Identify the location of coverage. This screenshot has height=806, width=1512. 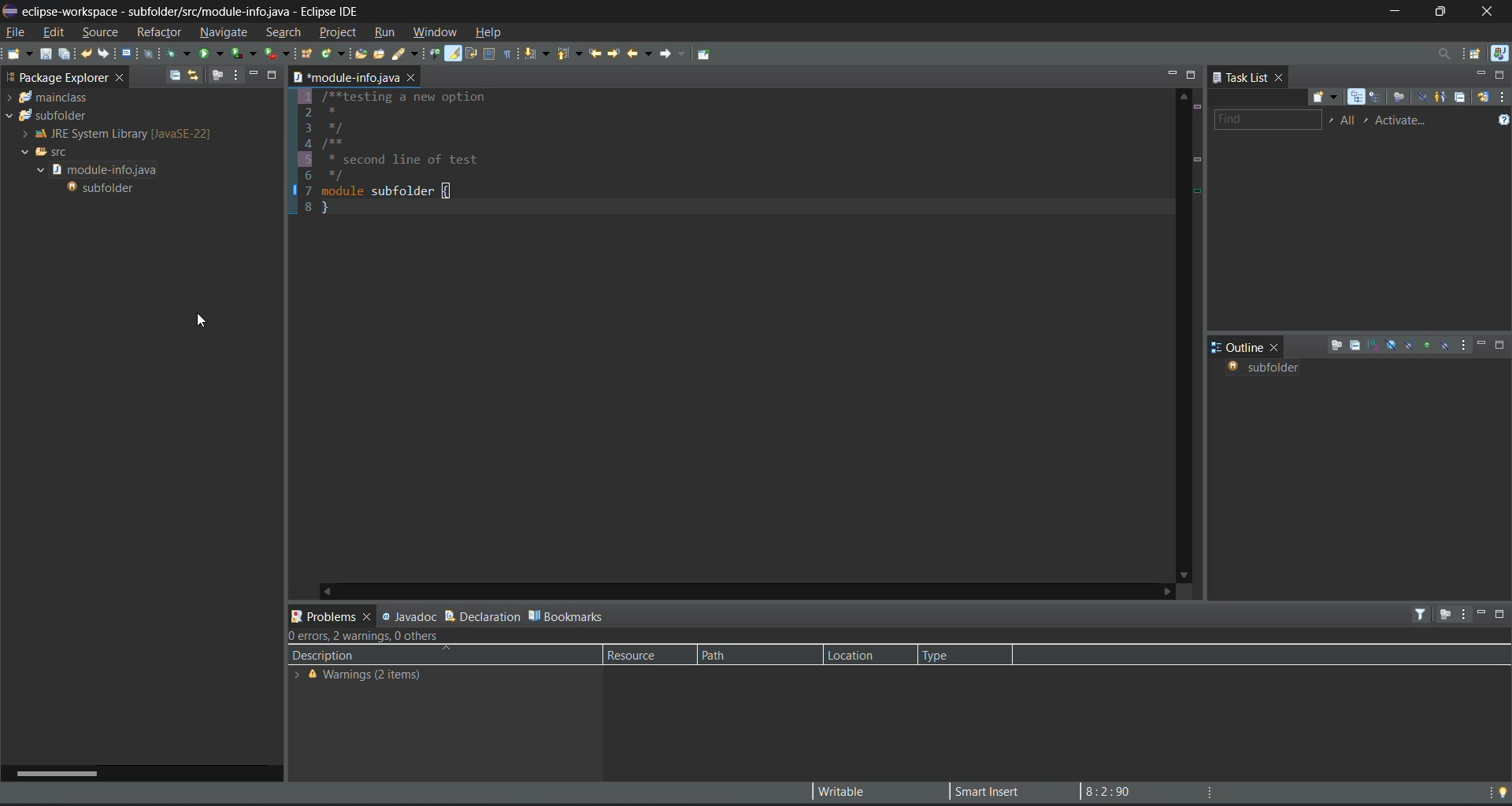
(246, 53).